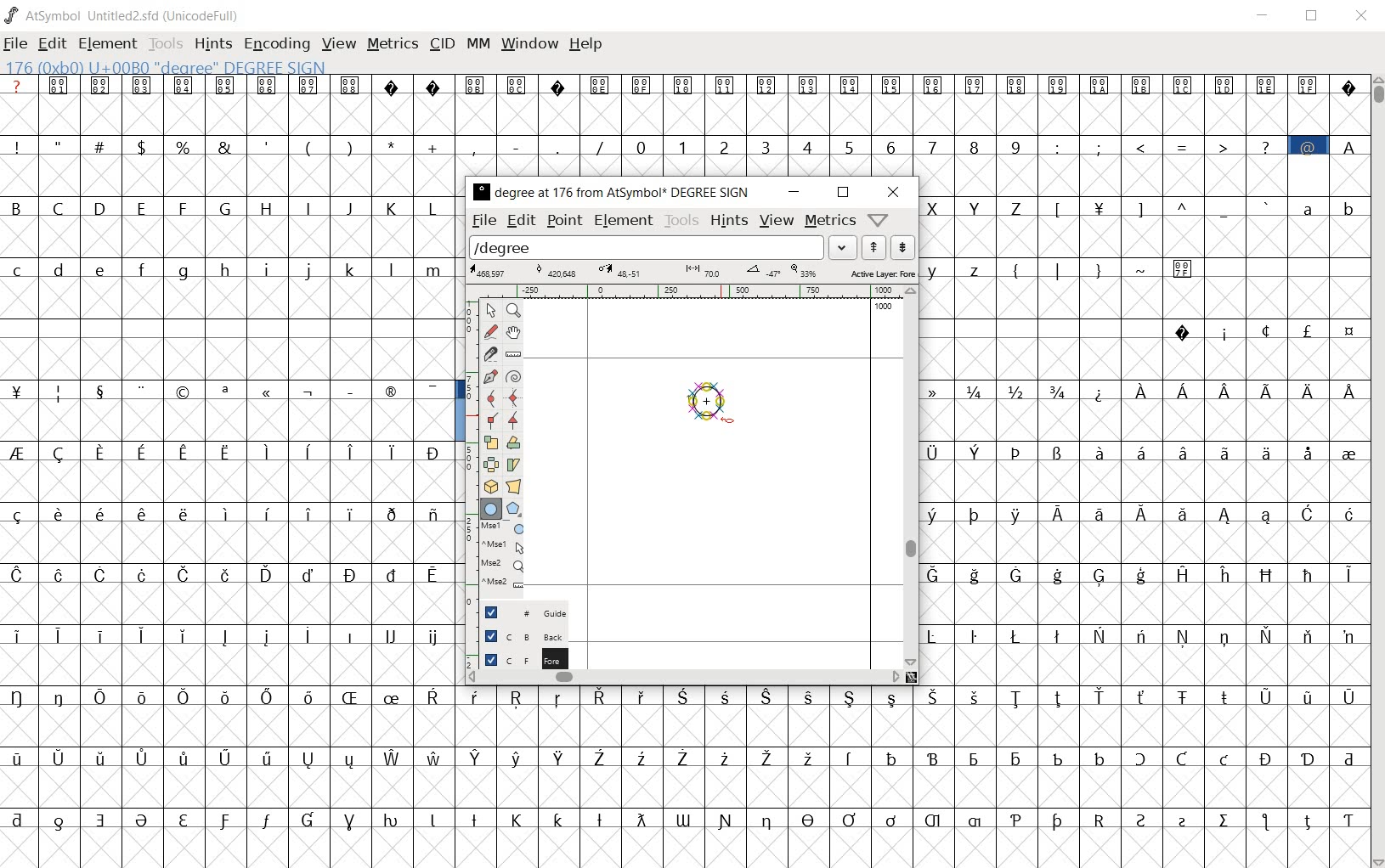 The height and width of the screenshot is (868, 1385). What do you see at coordinates (1140, 573) in the screenshot?
I see `special letters` at bounding box center [1140, 573].